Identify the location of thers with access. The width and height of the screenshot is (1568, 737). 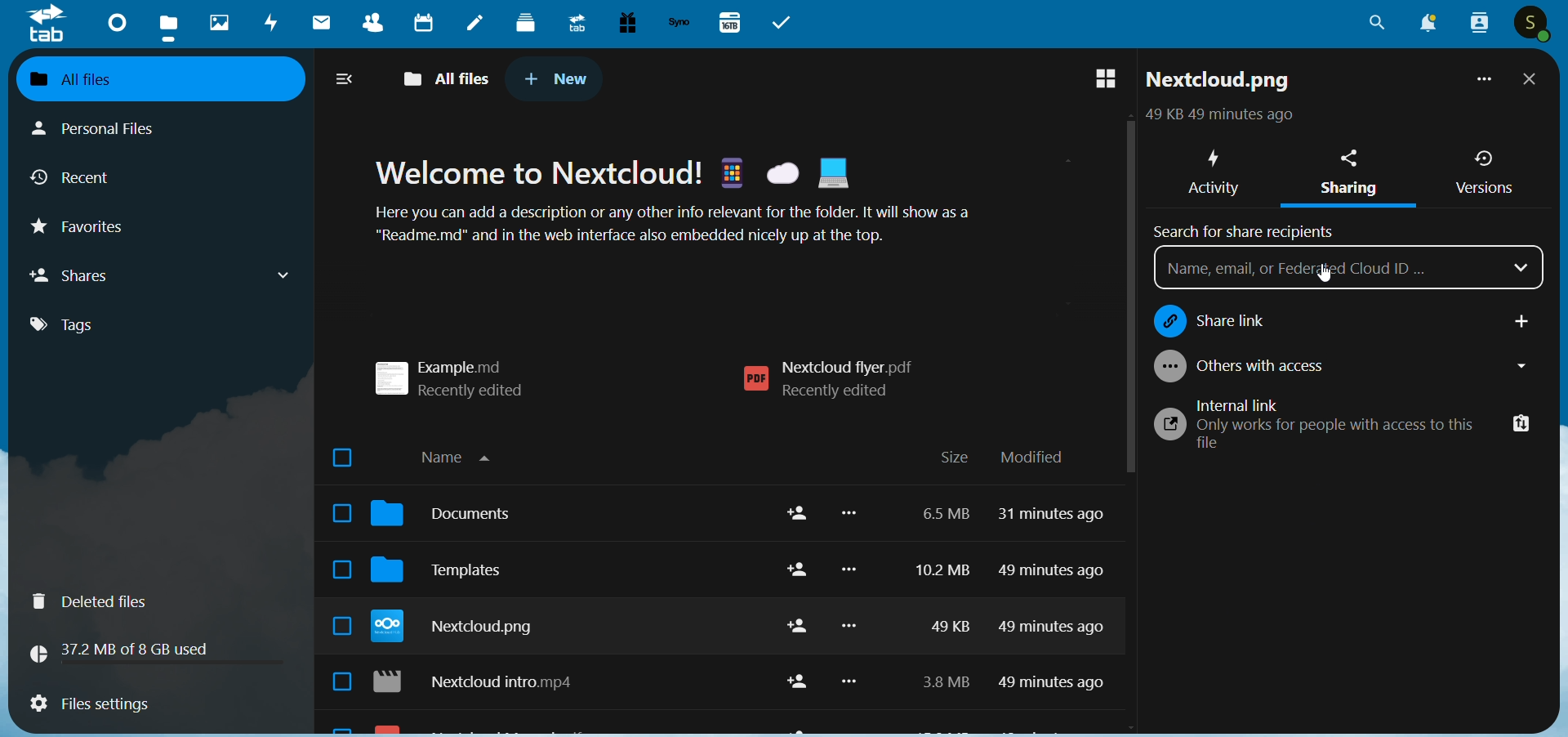
(1342, 368).